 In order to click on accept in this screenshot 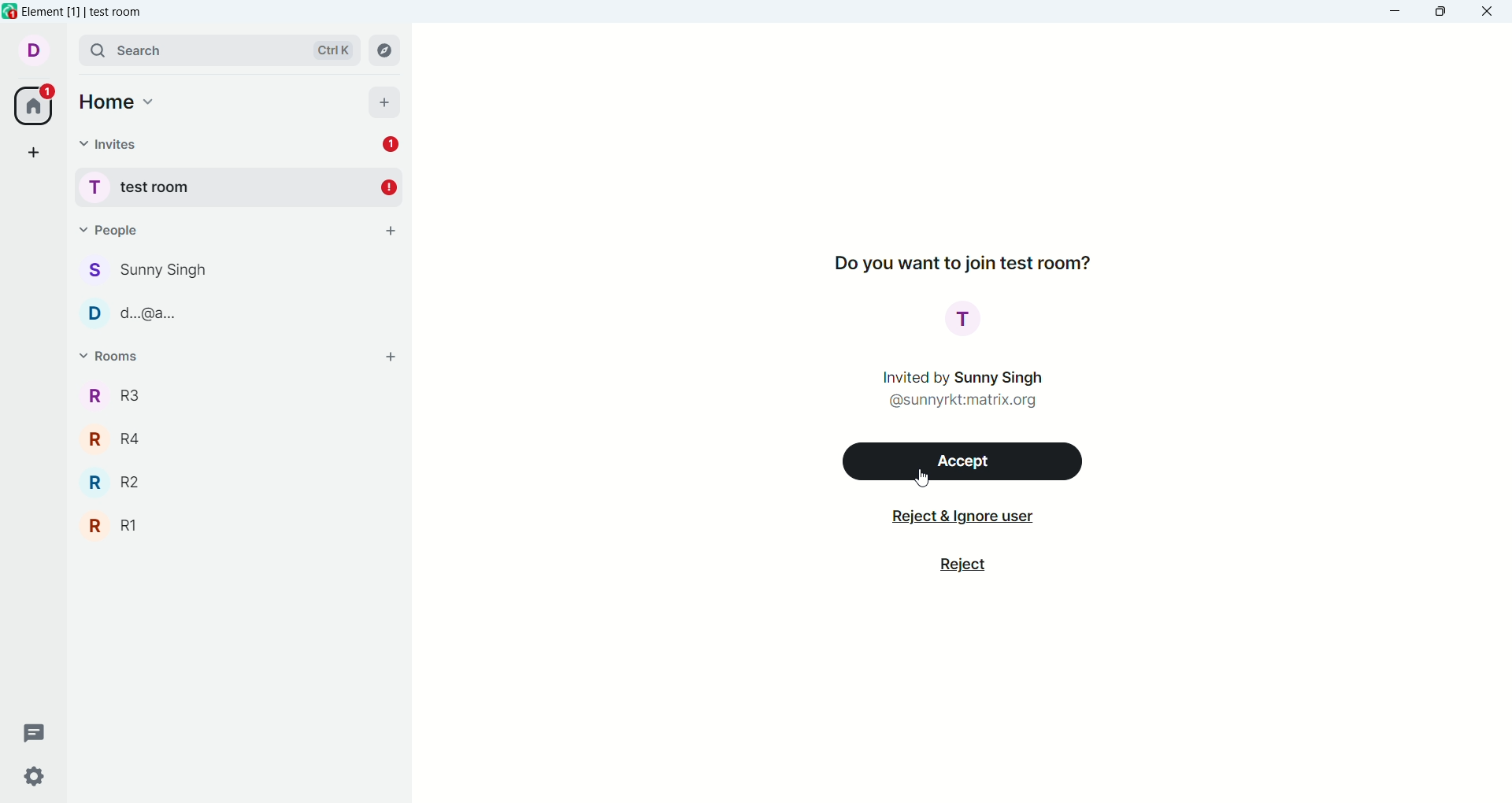, I will do `click(965, 461)`.